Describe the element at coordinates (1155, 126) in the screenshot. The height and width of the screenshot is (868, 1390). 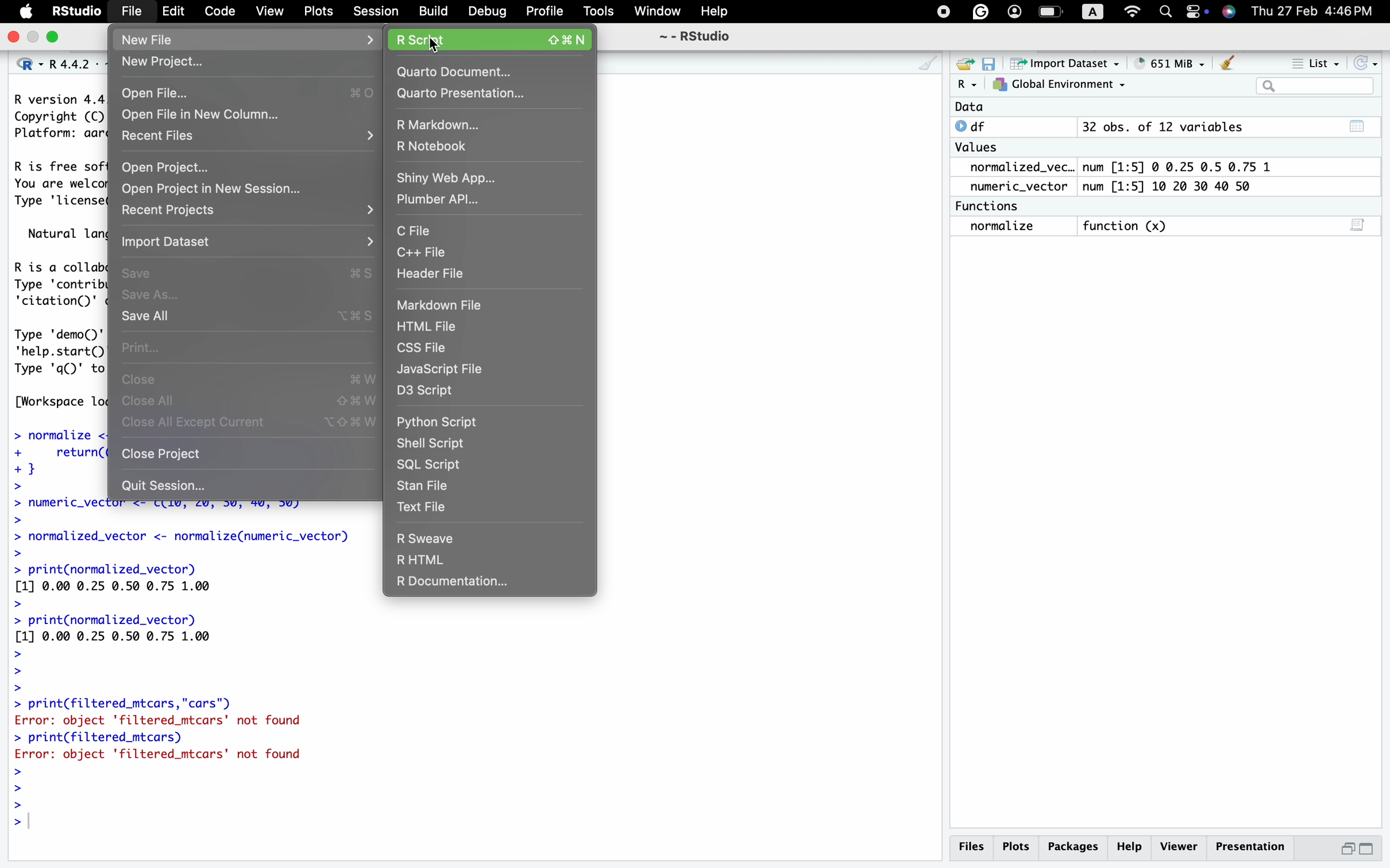
I see `© df 32 obs. of 12 variables` at that location.